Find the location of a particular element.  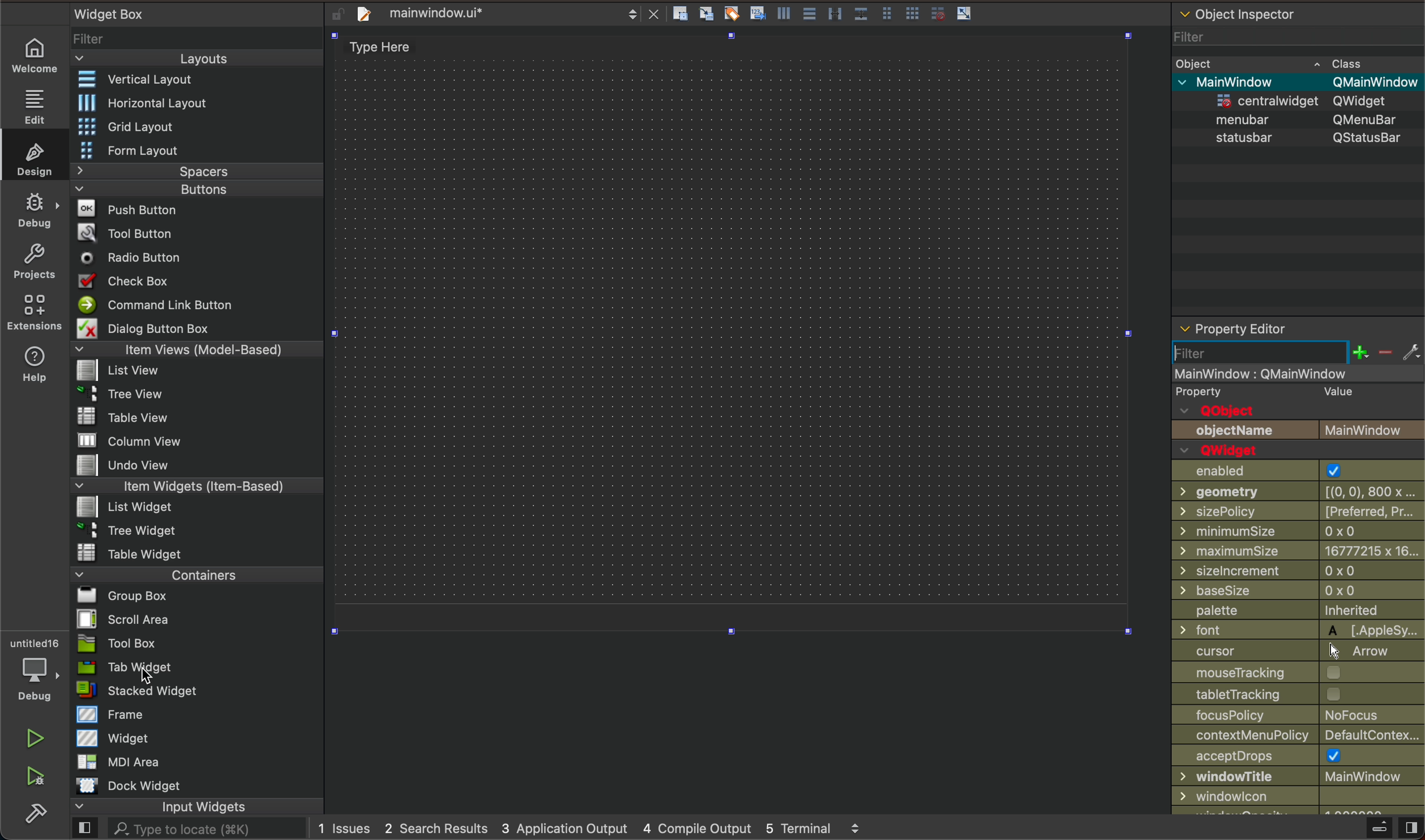

help is located at coordinates (37, 362).